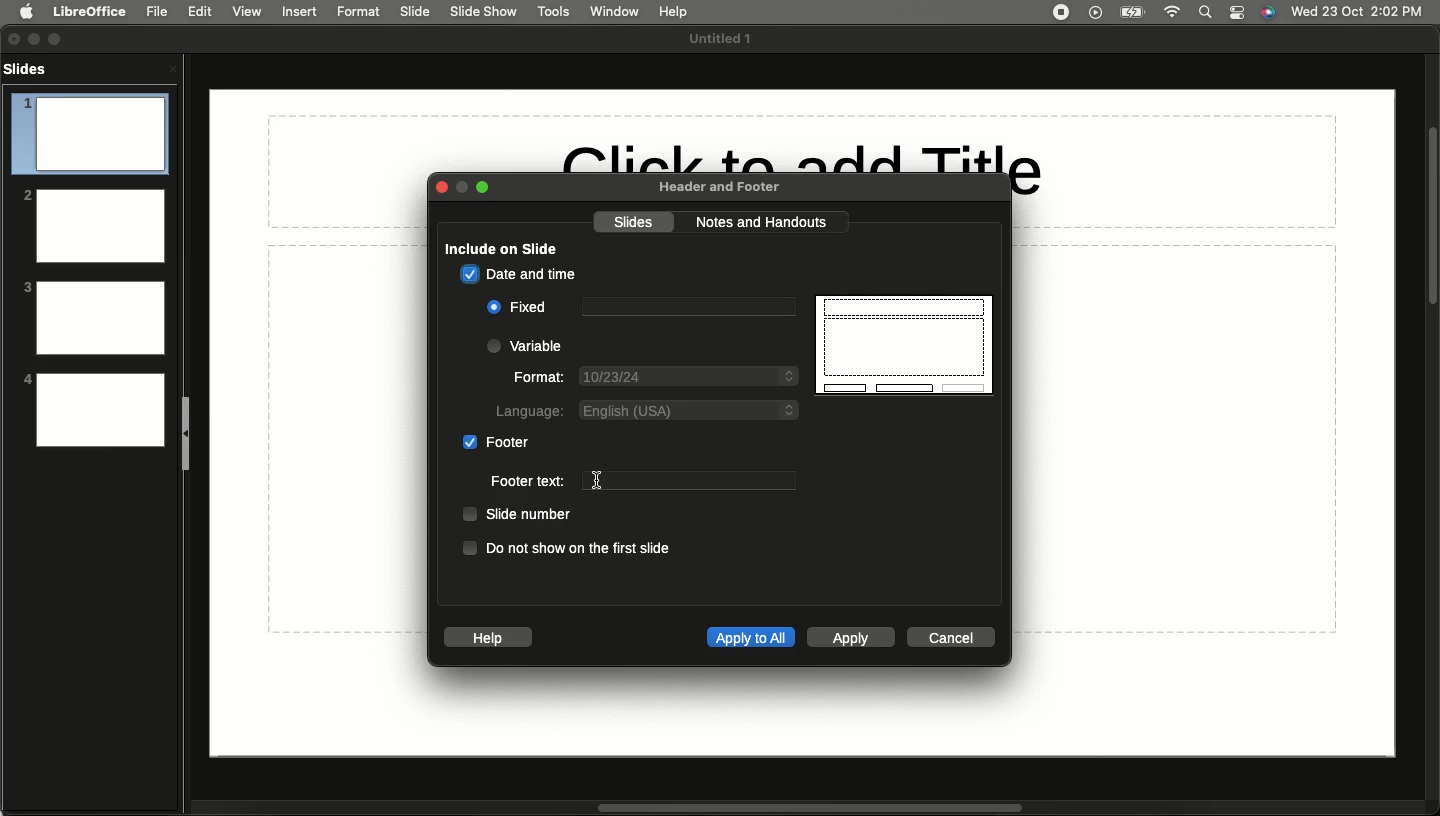 This screenshot has height=816, width=1440. Describe the element at coordinates (93, 317) in the screenshot. I see `3` at that location.